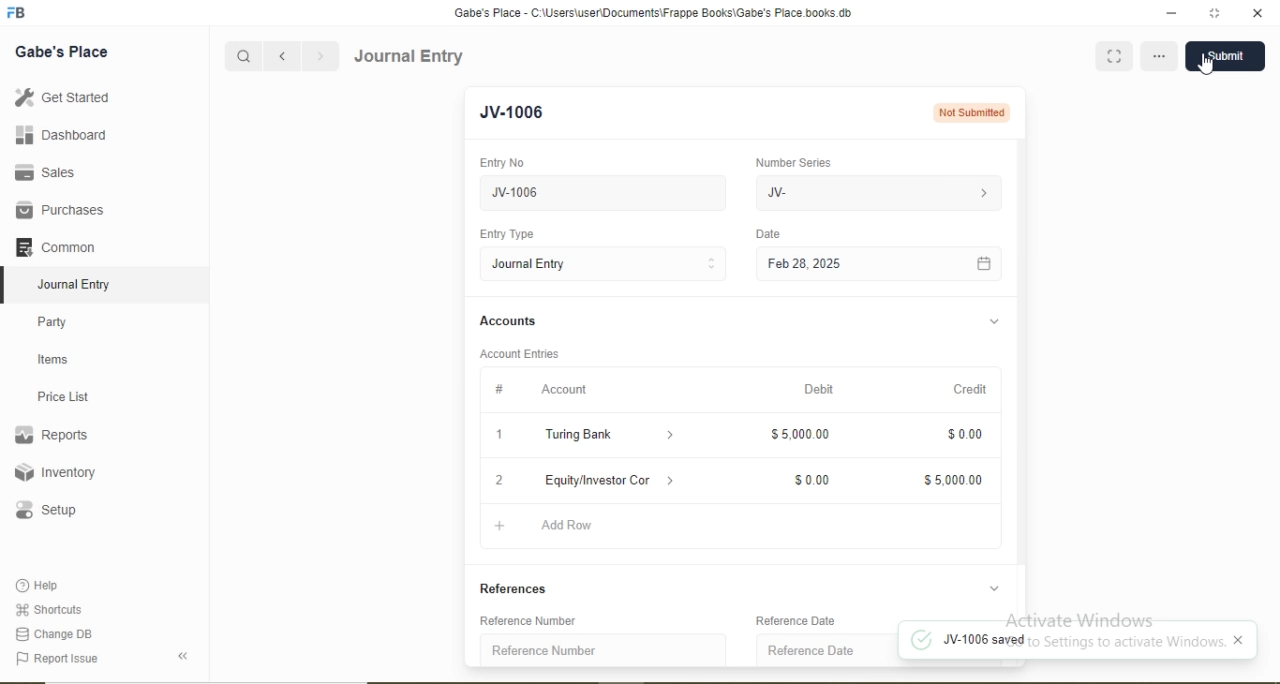 The height and width of the screenshot is (684, 1280). Describe the element at coordinates (793, 163) in the screenshot. I see `Number Series` at that location.